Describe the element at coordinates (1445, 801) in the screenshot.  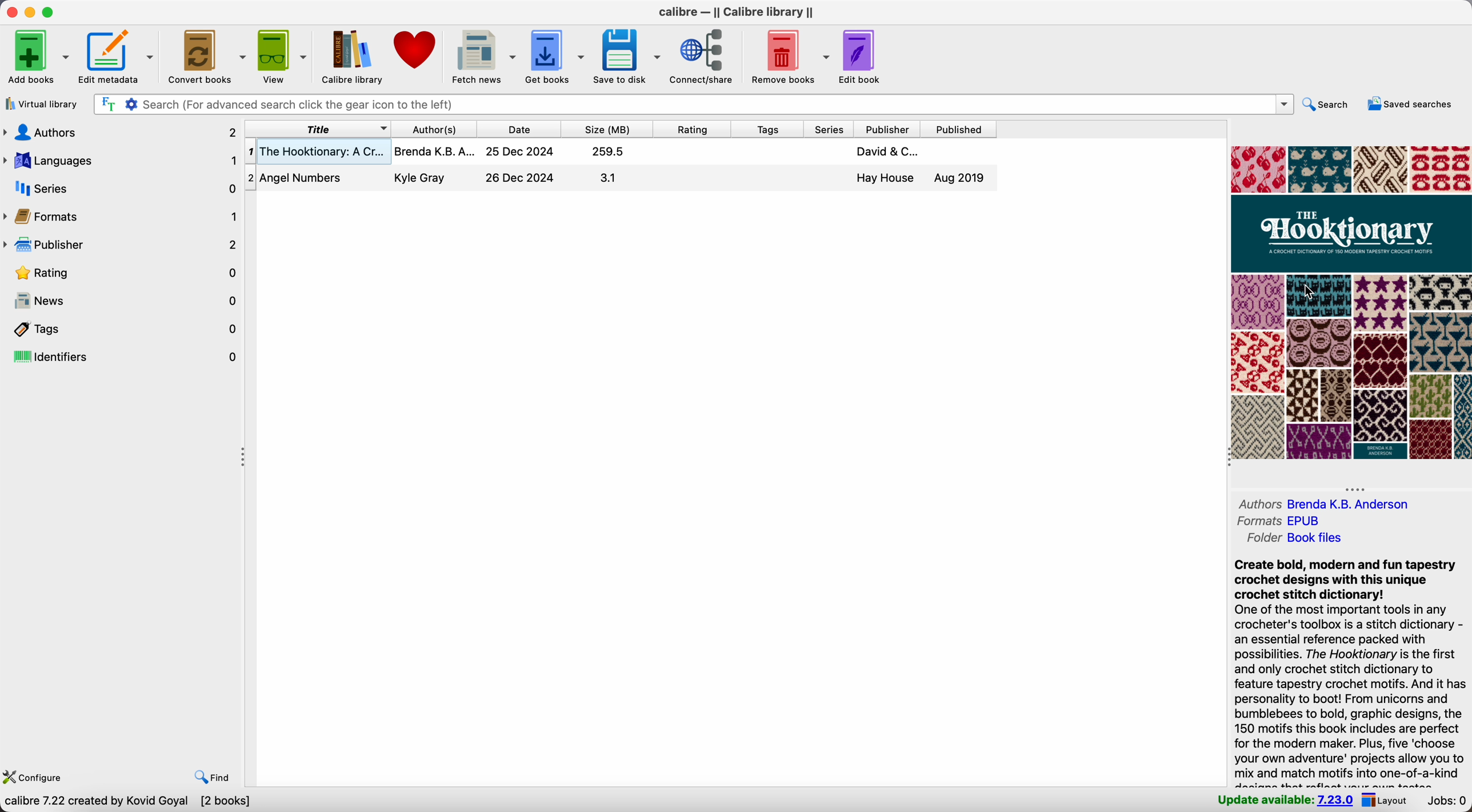
I see `jobs: 0` at that location.